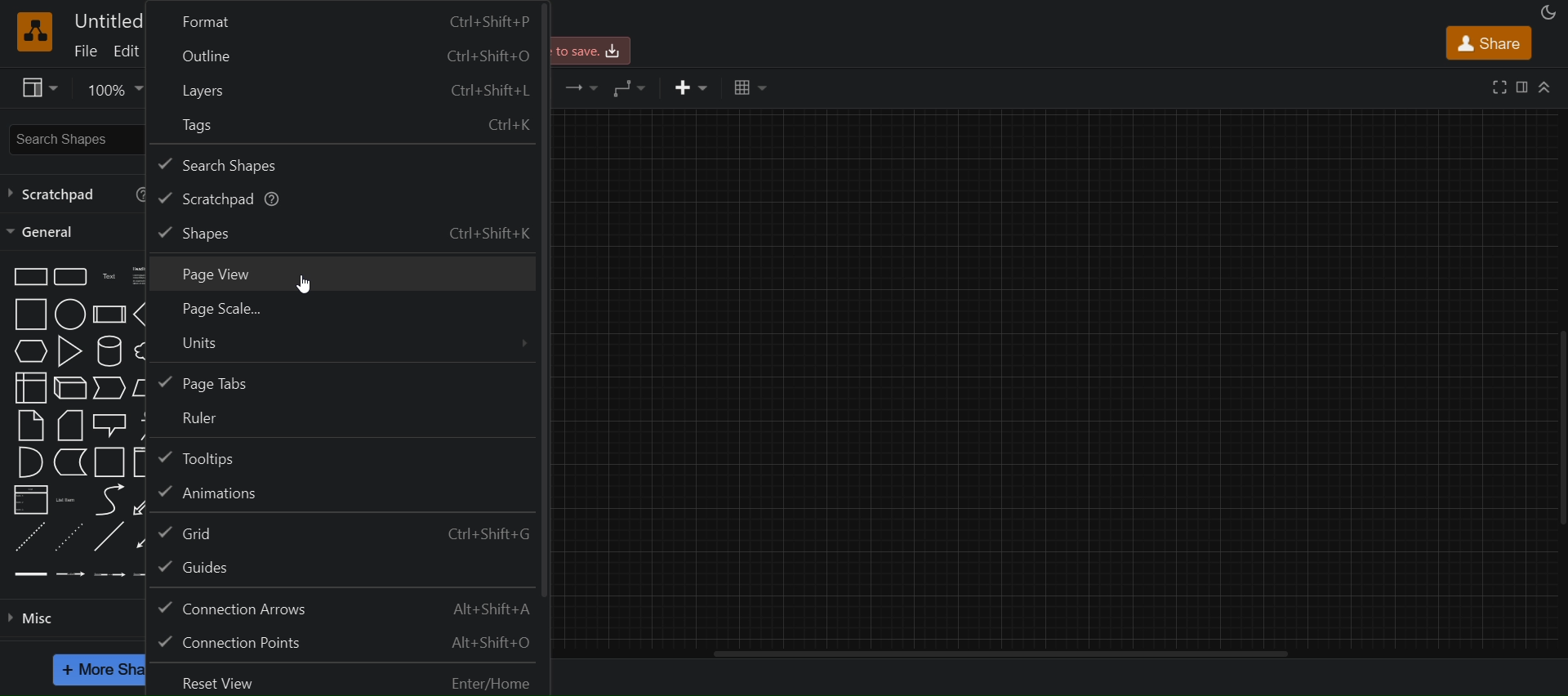 The image size is (1568, 696). I want to click on format, so click(1522, 87).